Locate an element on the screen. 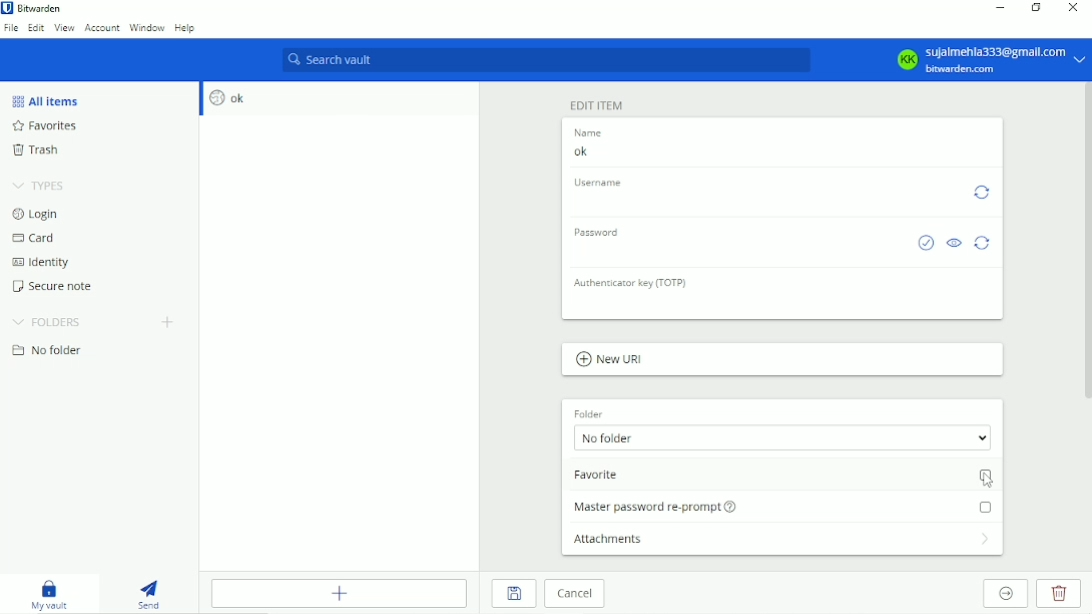 The width and height of the screenshot is (1092, 614). Move to organization is located at coordinates (1005, 594).